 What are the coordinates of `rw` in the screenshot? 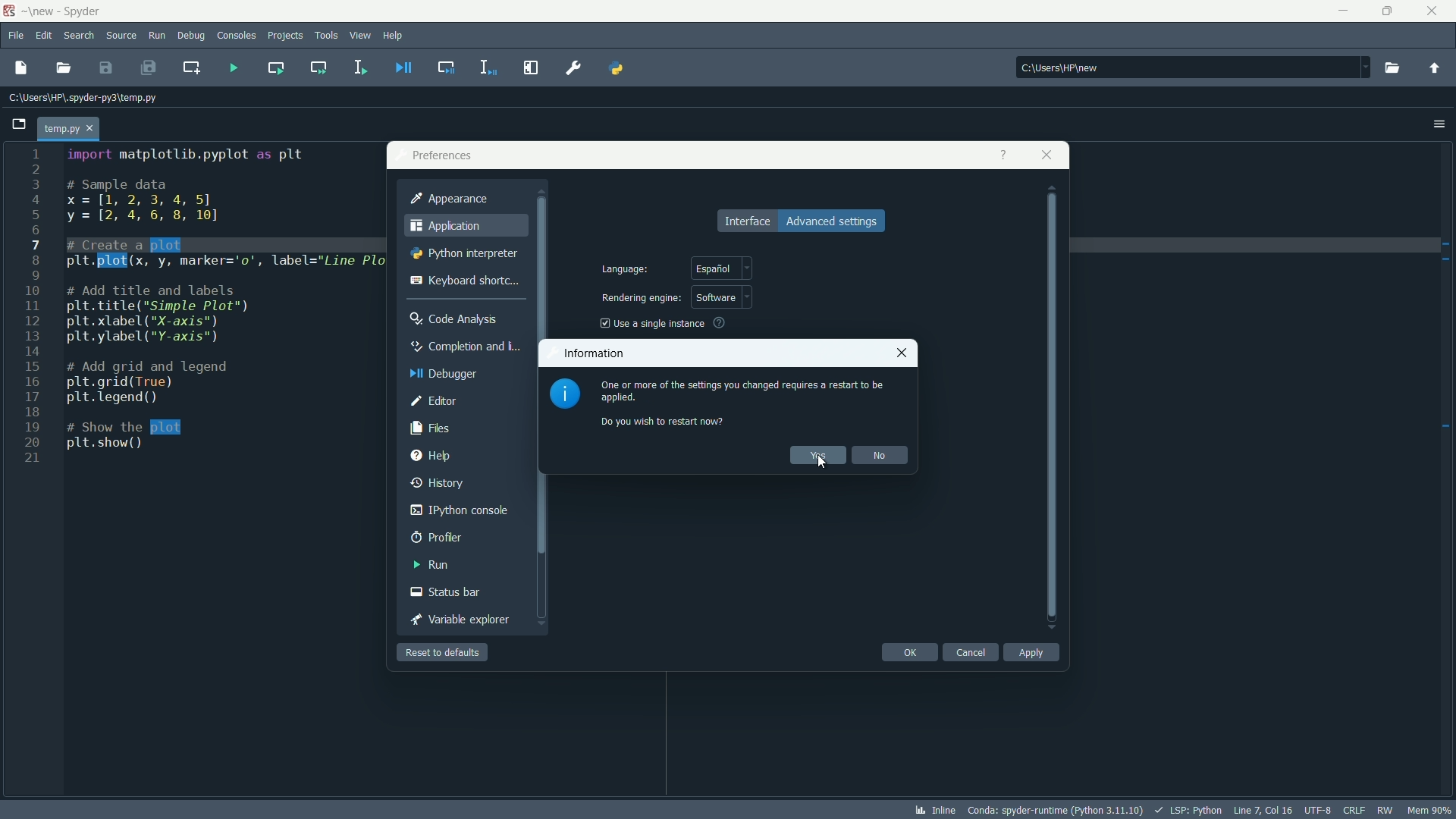 It's located at (1385, 808).